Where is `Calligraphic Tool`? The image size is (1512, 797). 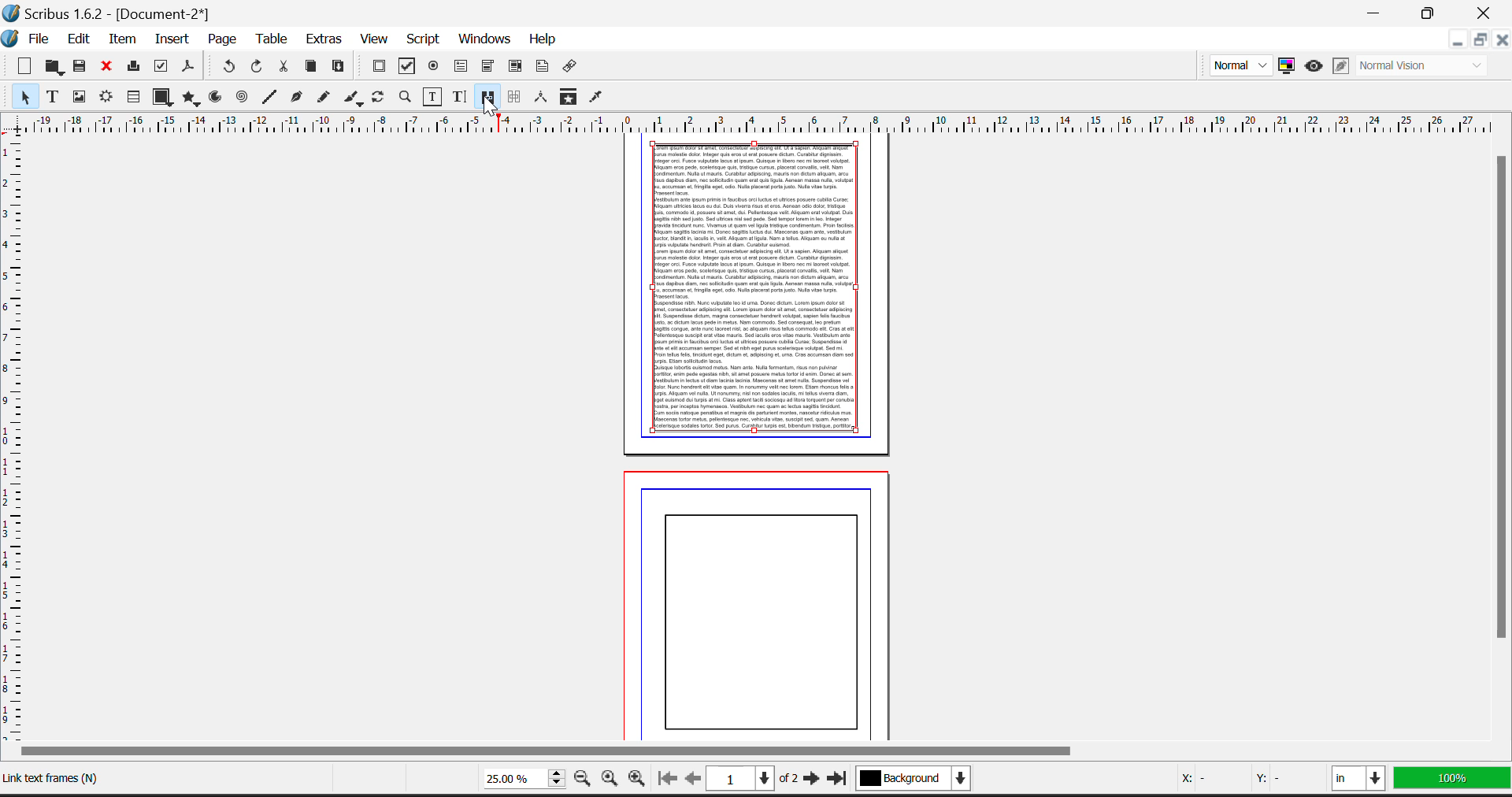
Calligraphic Tool is located at coordinates (353, 98).